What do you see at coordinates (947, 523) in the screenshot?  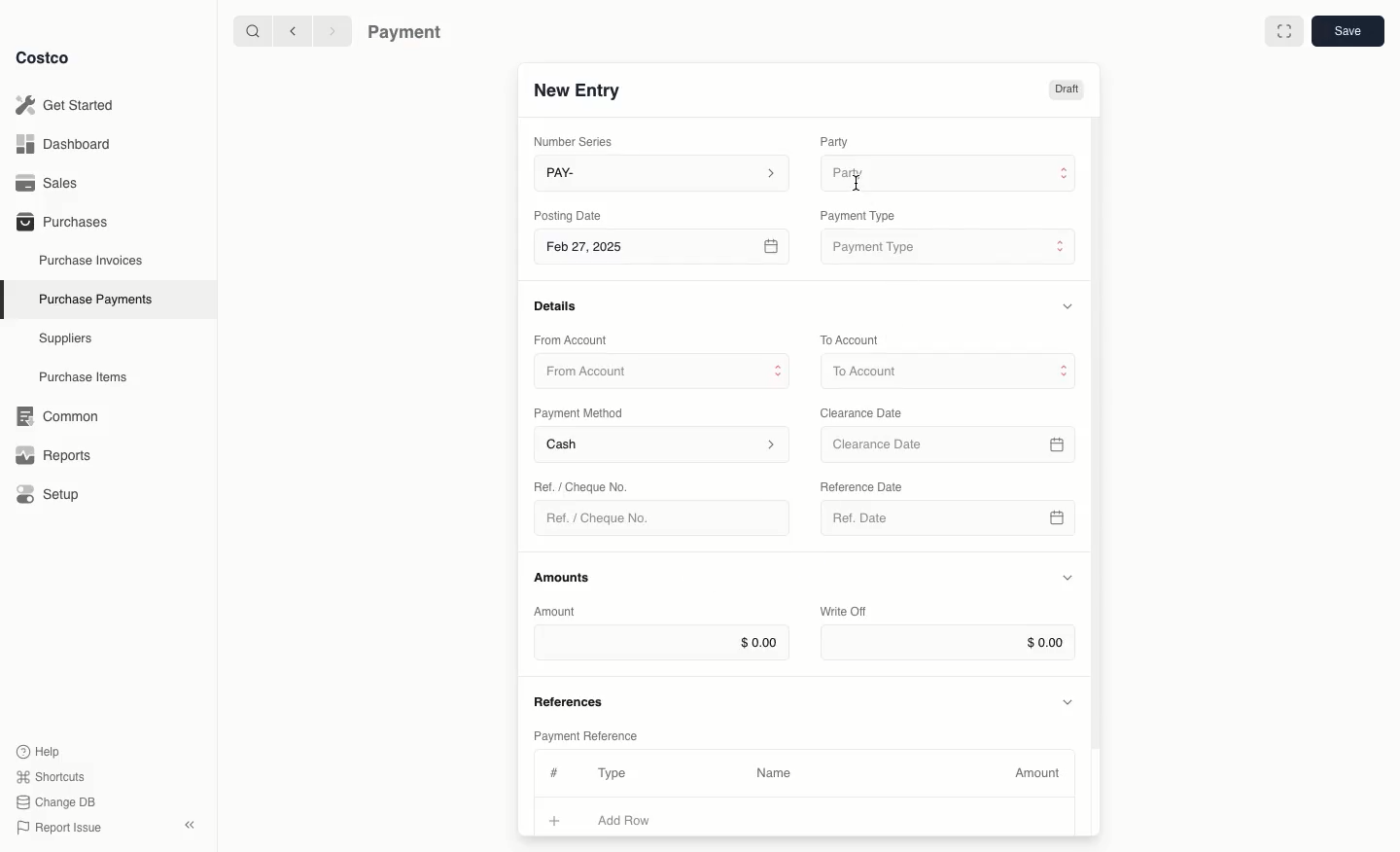 I see `Ref. Date` at bounding box center [947, 523].